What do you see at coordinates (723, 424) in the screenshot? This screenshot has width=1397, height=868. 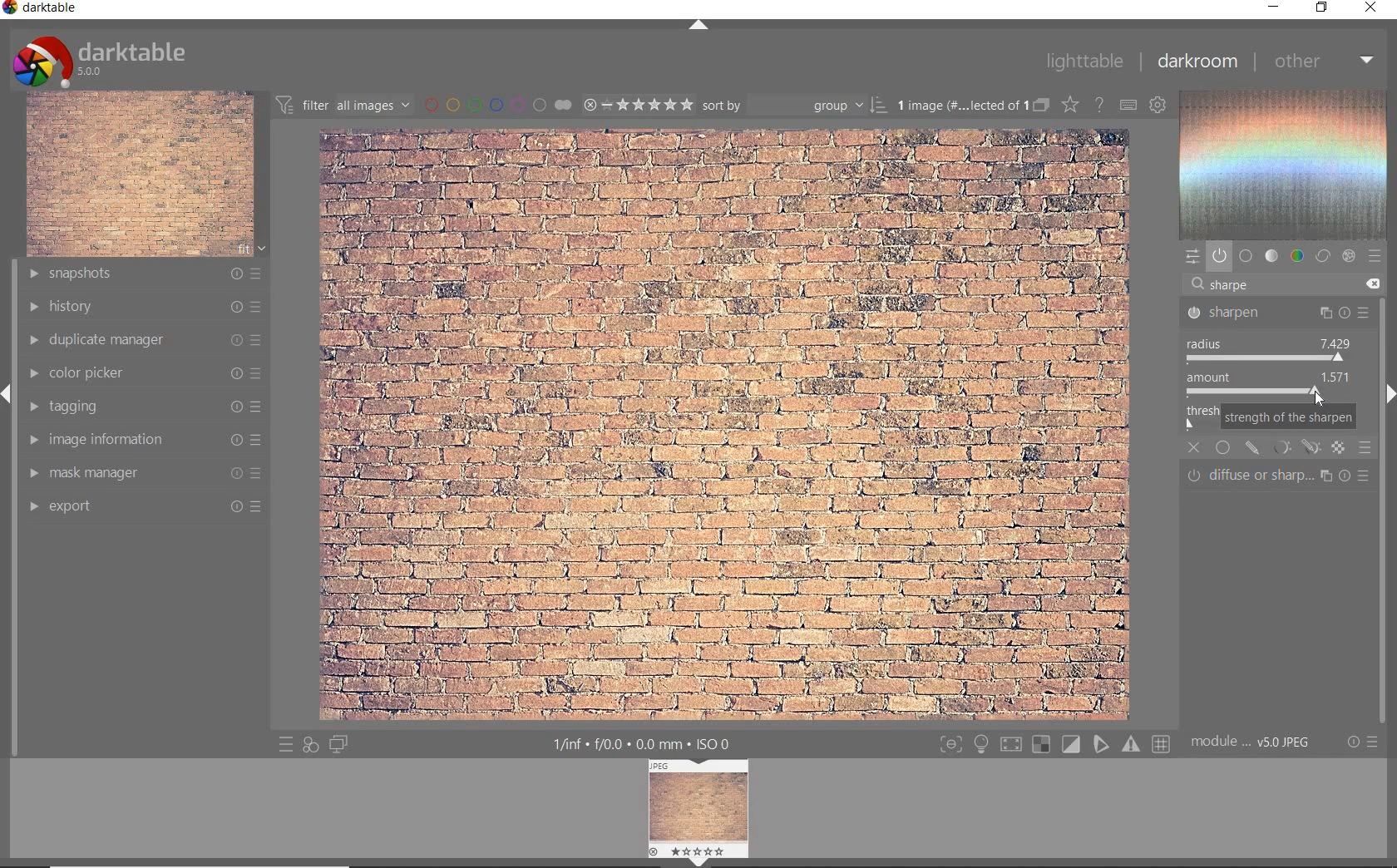 I see `selected image` at bounding box center [723, 424].